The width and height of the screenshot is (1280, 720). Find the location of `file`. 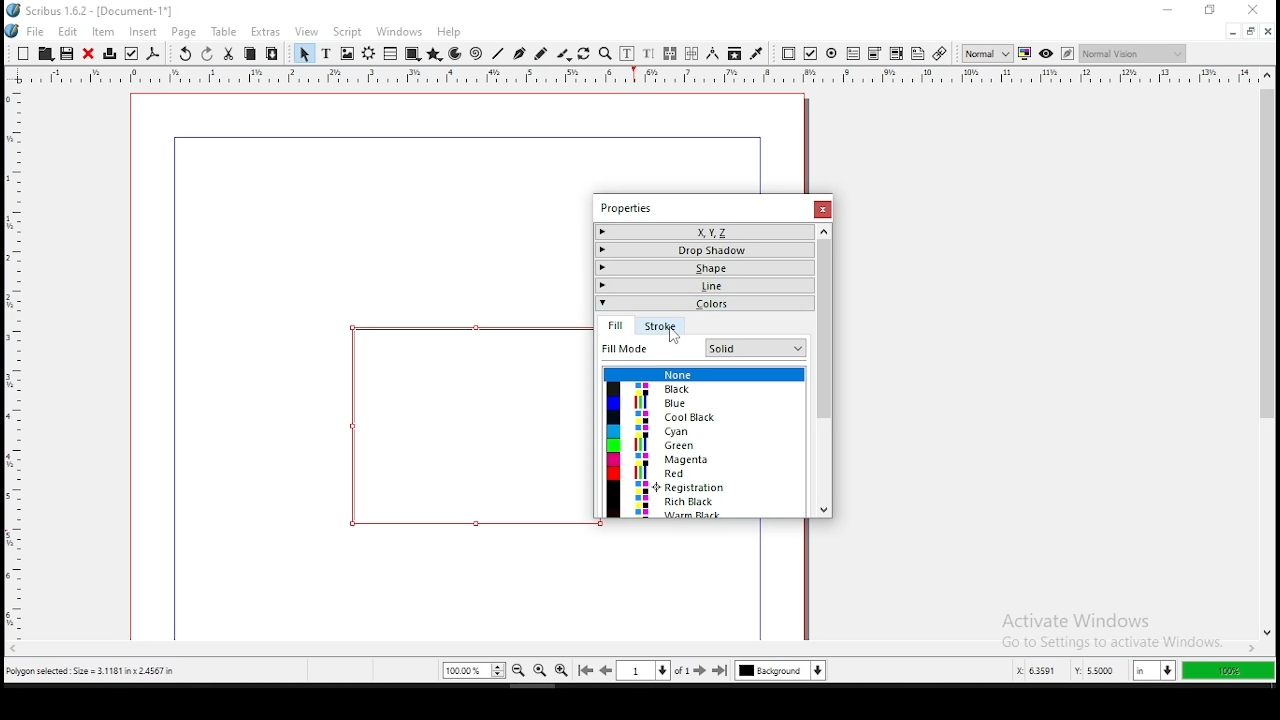

file is located at coordinates (26, 30).